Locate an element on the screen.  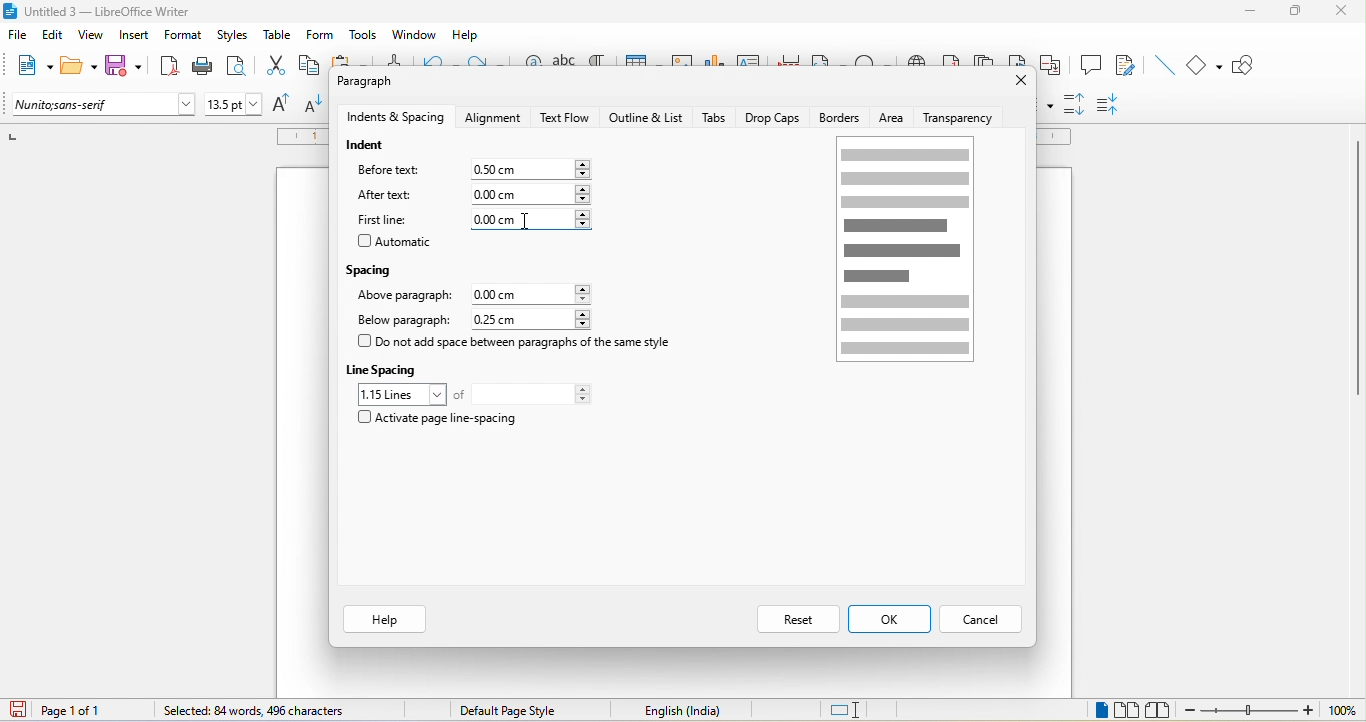
insert line is located at coordinates (1163, 65).